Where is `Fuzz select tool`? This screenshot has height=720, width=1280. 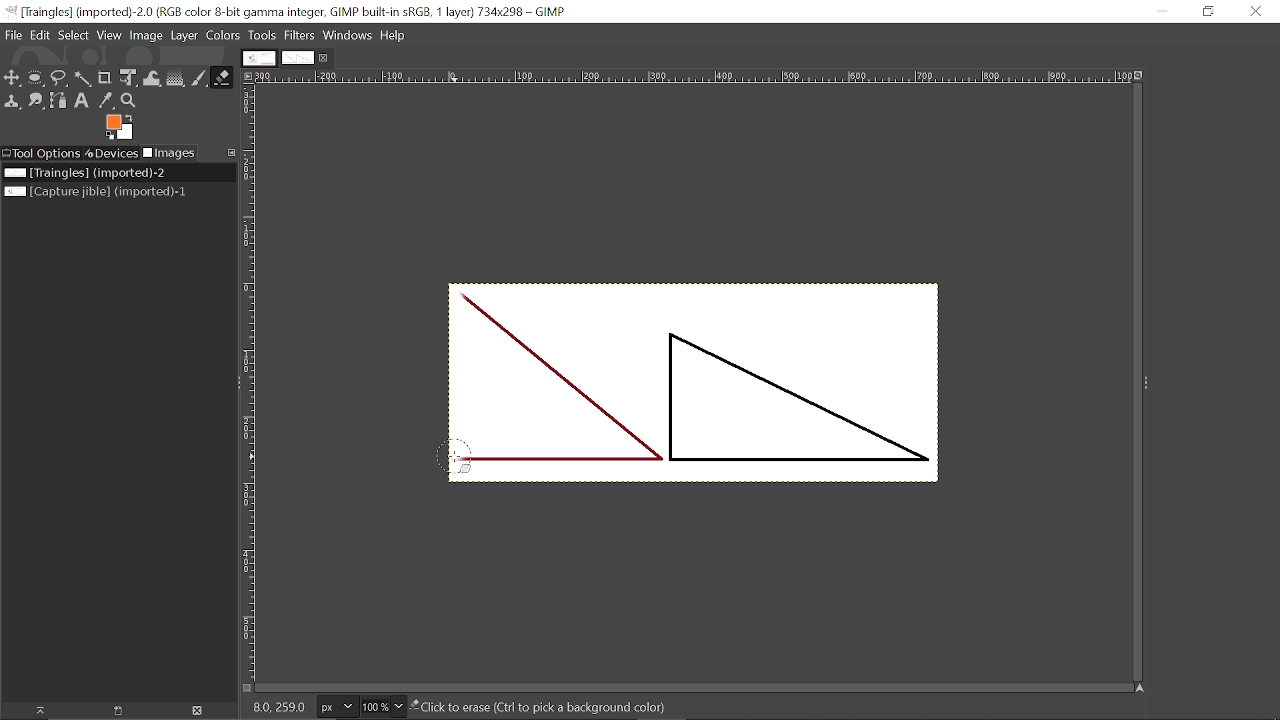
Fuzz select tool is located at coordinates (81, 79).